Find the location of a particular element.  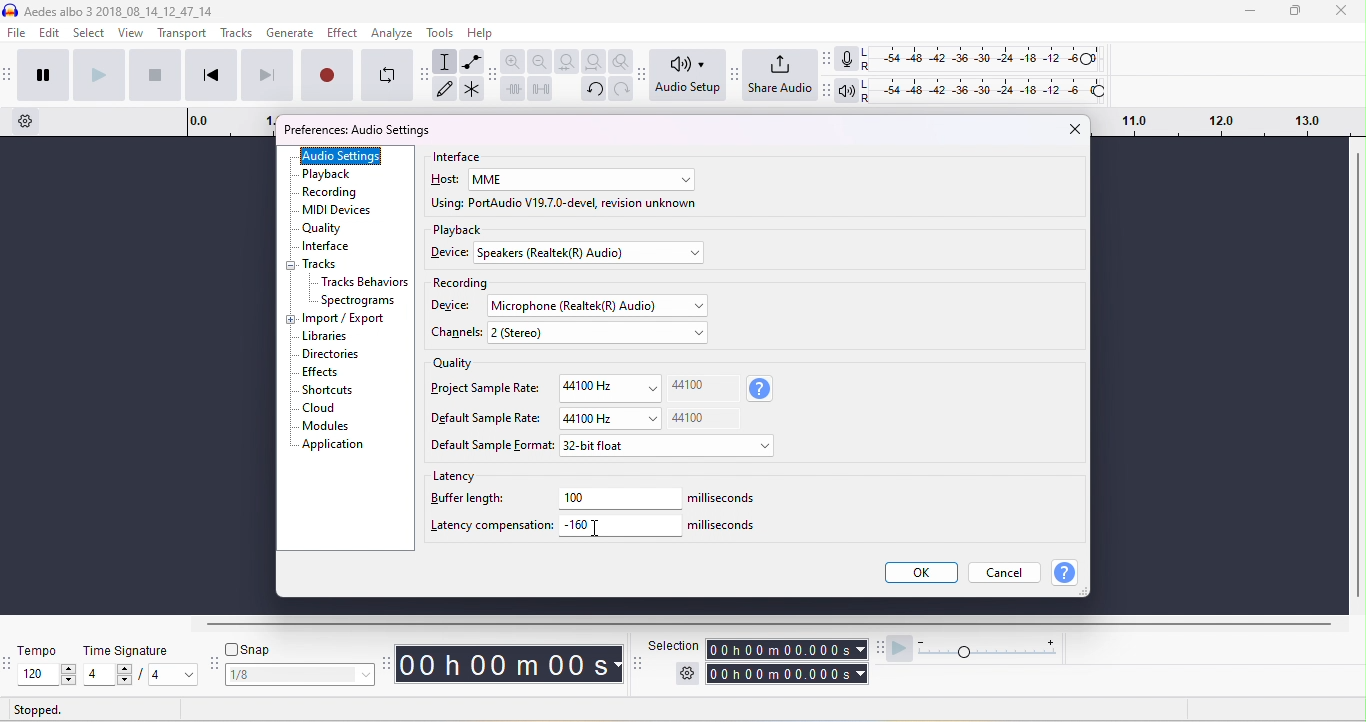

enable looping is located at coordinates (387, 74).